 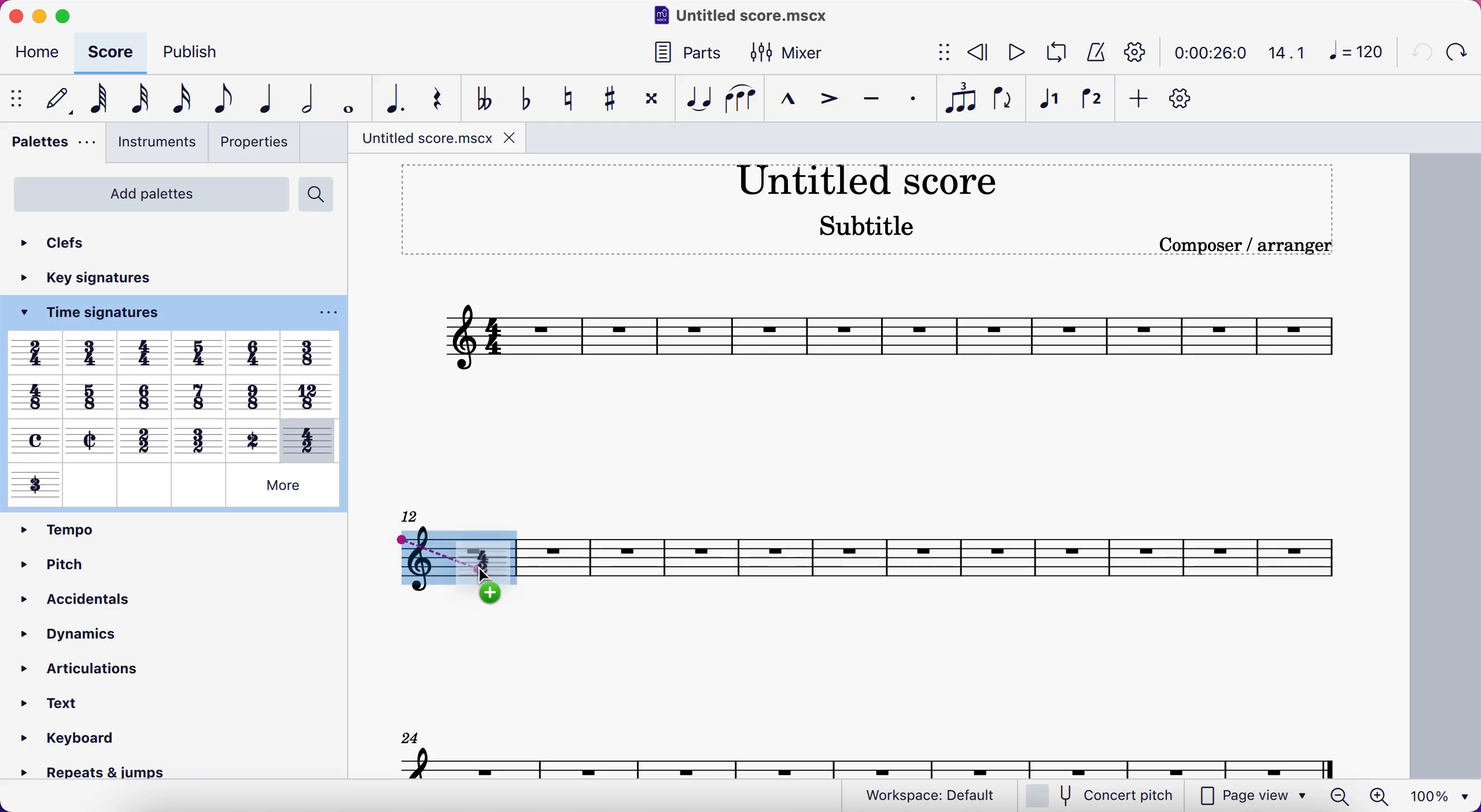 What do you see at coordinates (71, 560) in the screenshot?
I see `pitch` at bounding box center [71, 560].